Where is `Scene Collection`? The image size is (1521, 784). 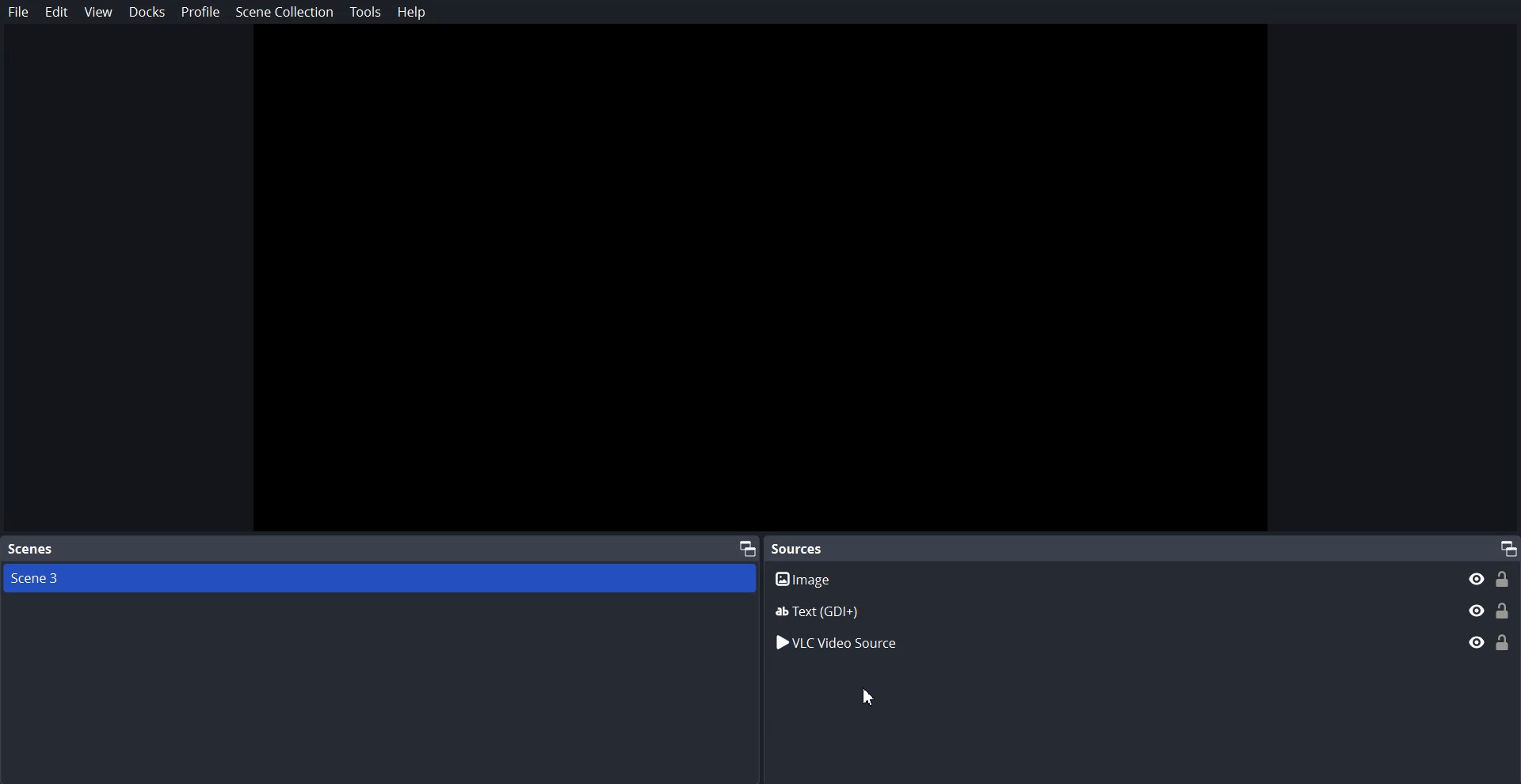
Scene Collection is located at coordinates (284, 14).